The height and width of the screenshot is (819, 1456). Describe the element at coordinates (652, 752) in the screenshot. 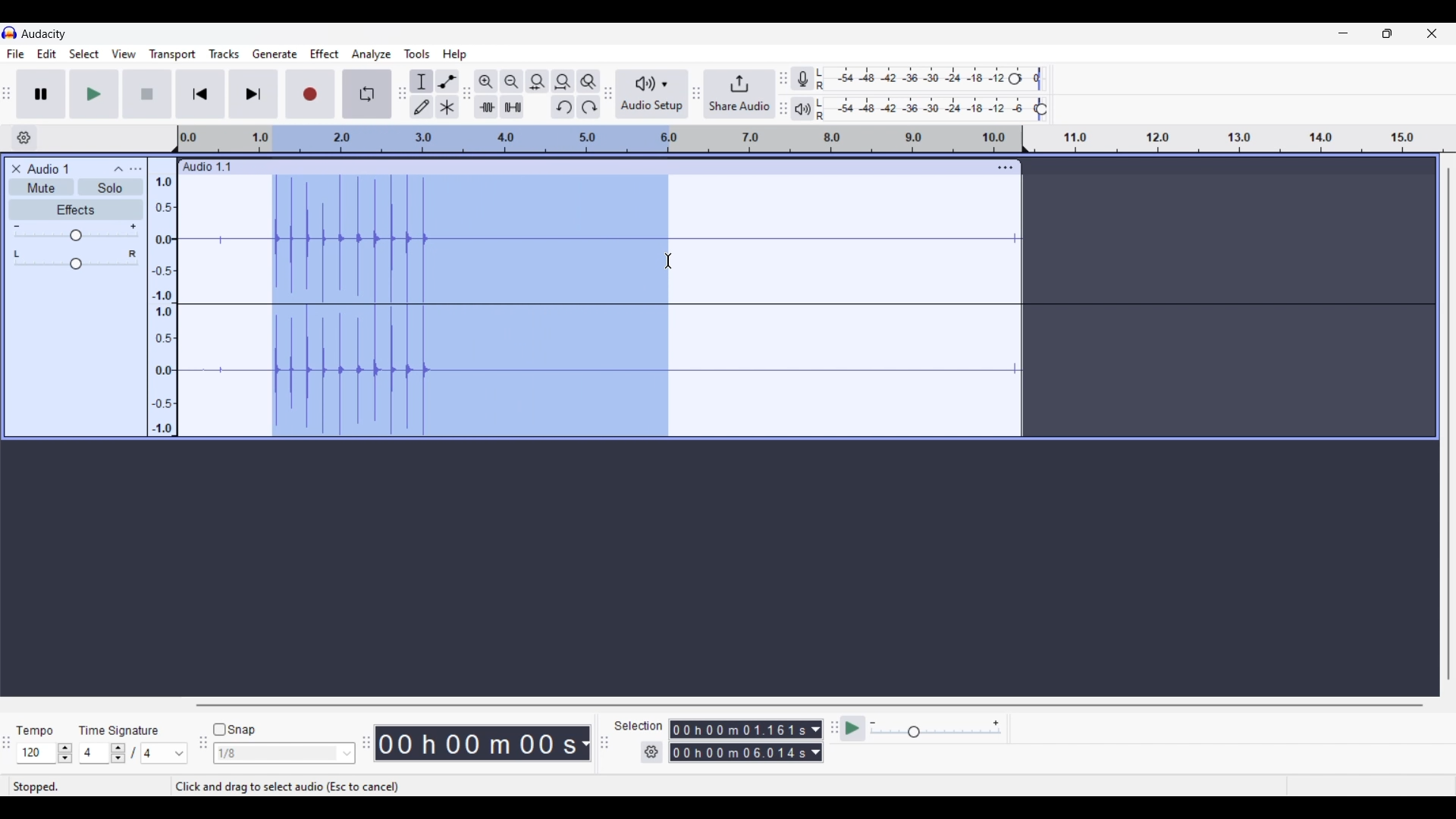

I see `Selection settings` at that location.